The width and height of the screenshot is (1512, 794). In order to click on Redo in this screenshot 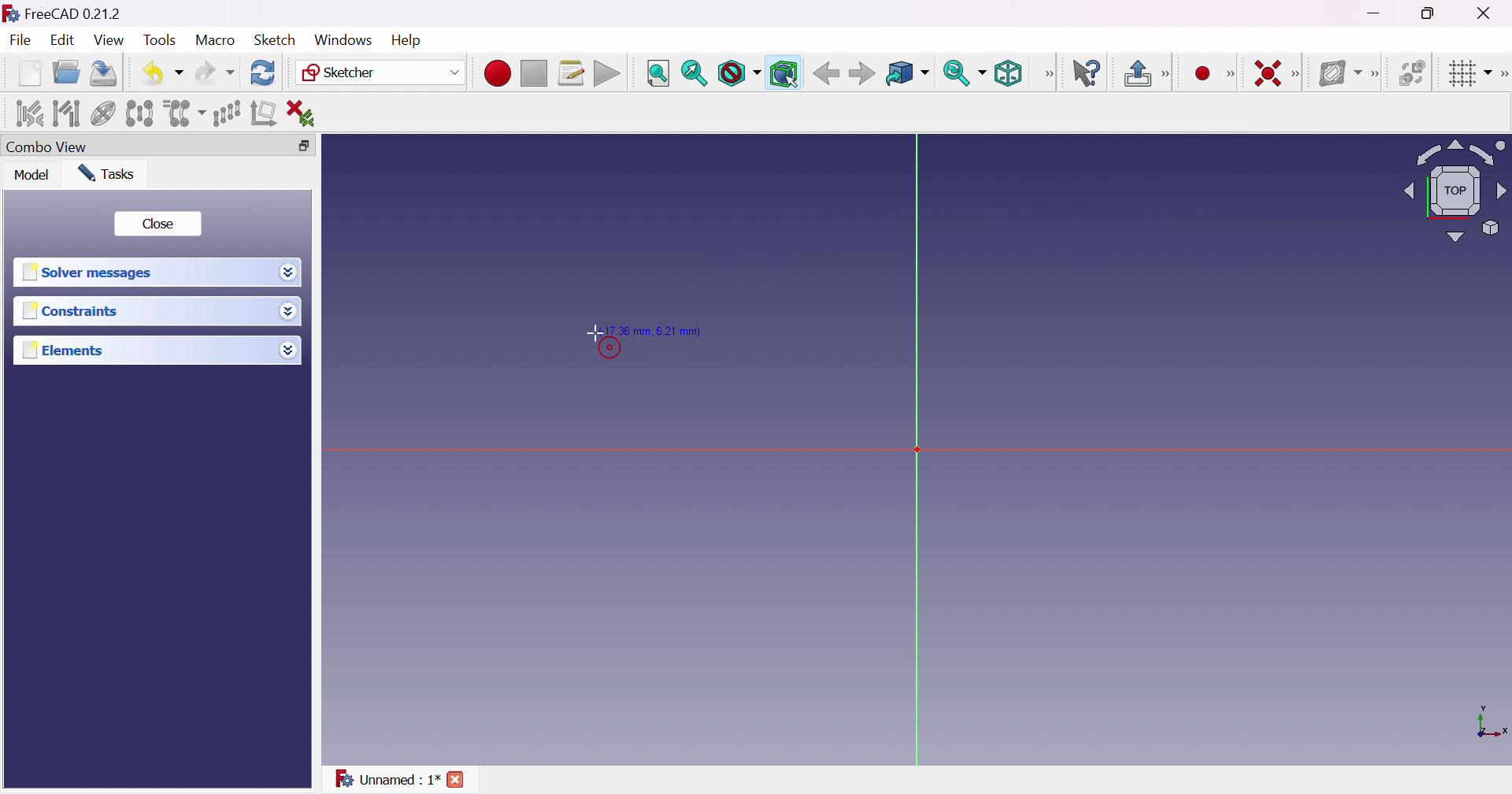, I will do `click(215, 72)`.